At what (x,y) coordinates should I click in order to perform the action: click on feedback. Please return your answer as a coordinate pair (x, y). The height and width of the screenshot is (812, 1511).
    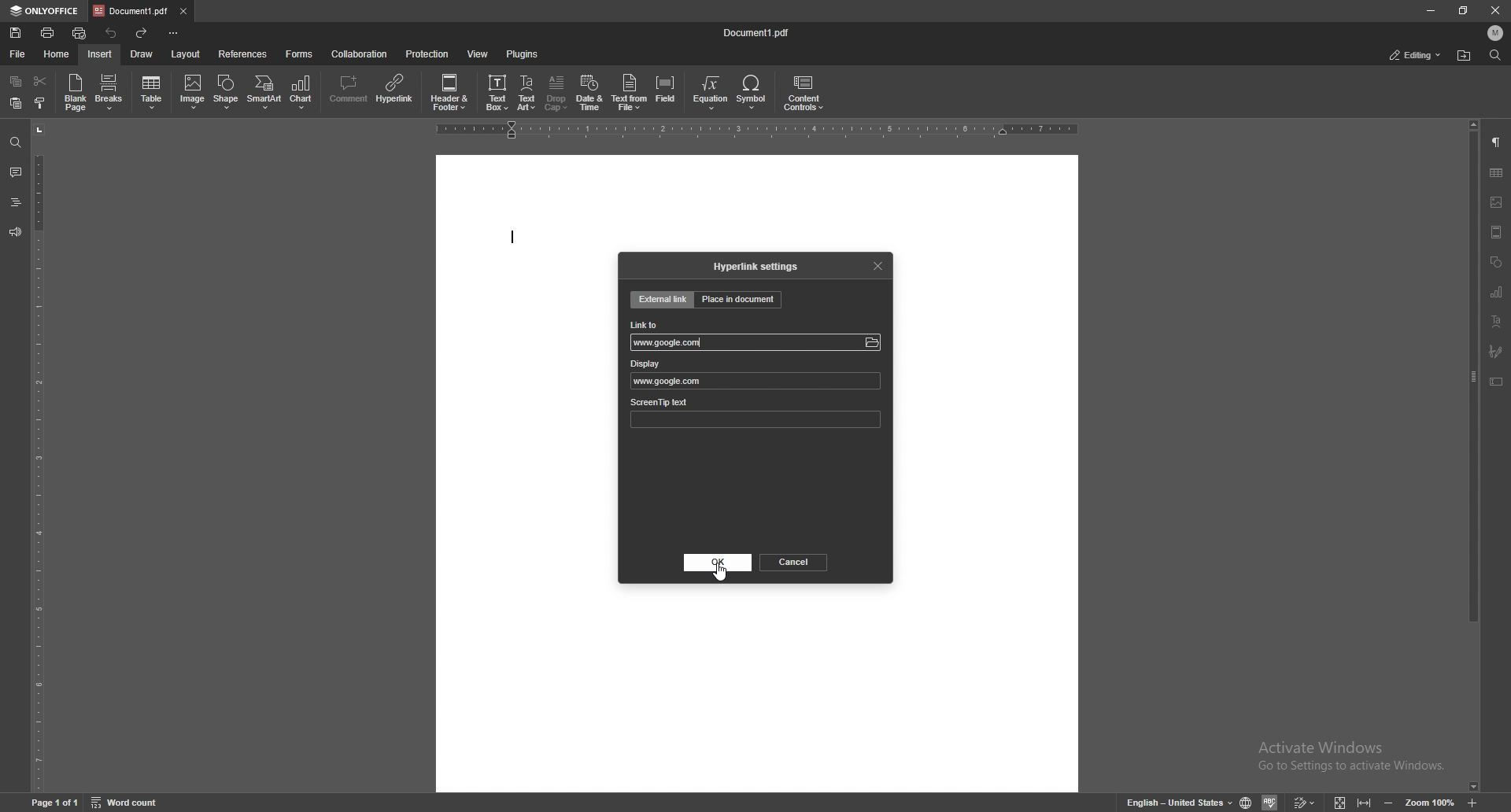
    Looking at the image, I should click on (15, 231).